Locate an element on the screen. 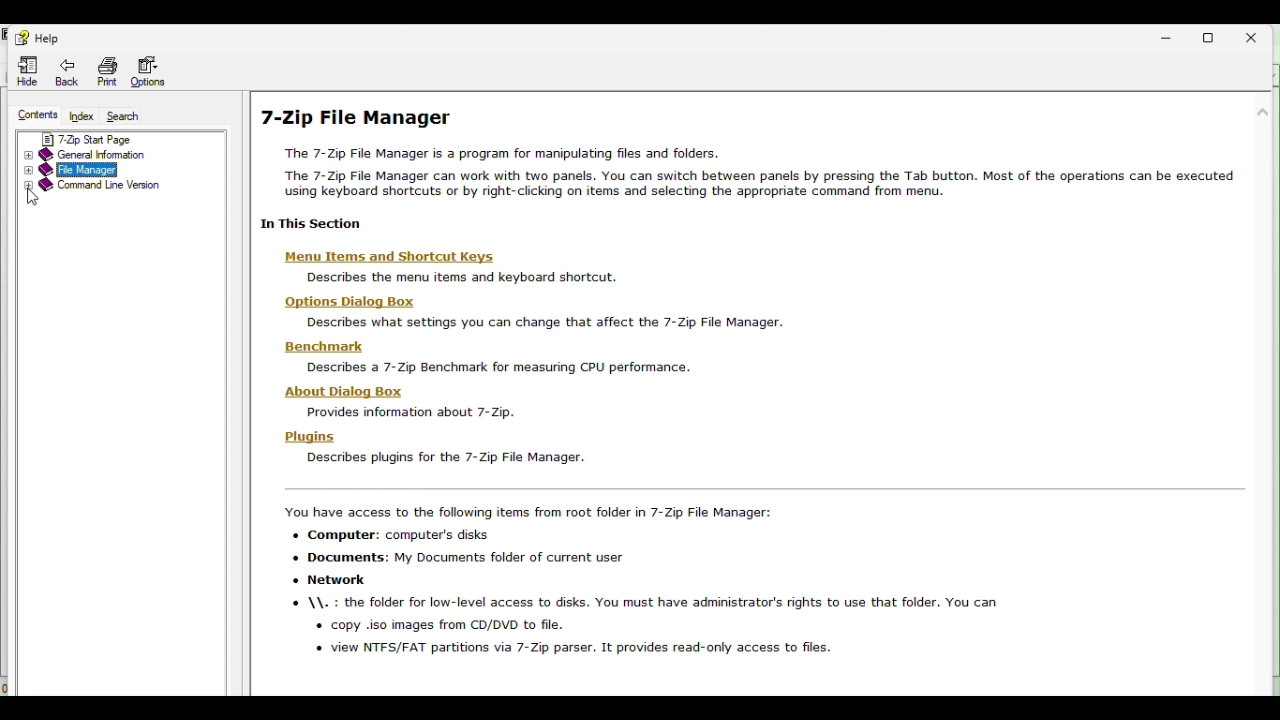 Image resolution: width=1280 pixels, height=720 pixels. Print is located at coordinates (106, 71).